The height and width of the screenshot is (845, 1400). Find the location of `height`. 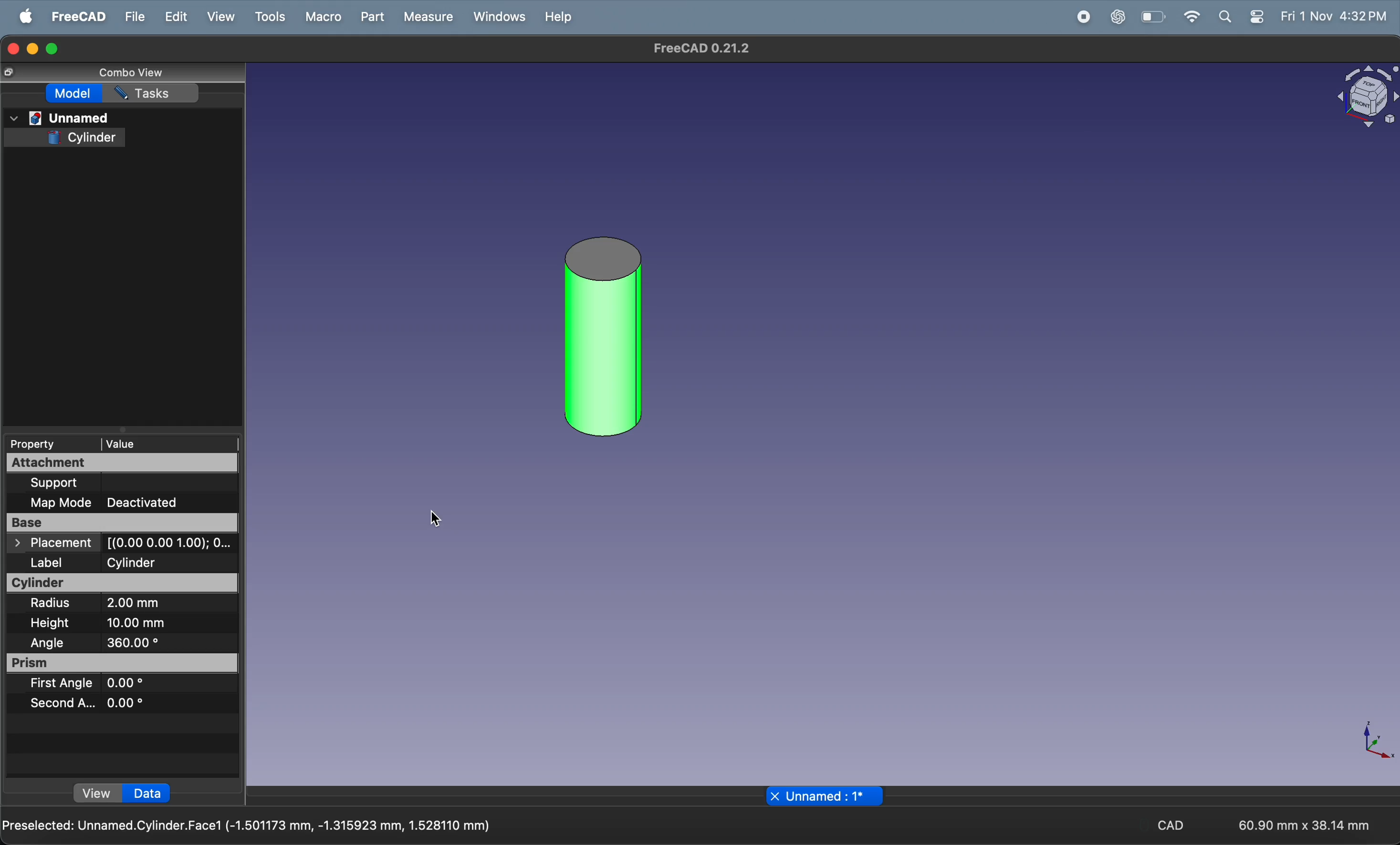

height is located at coordinates (52, 624).